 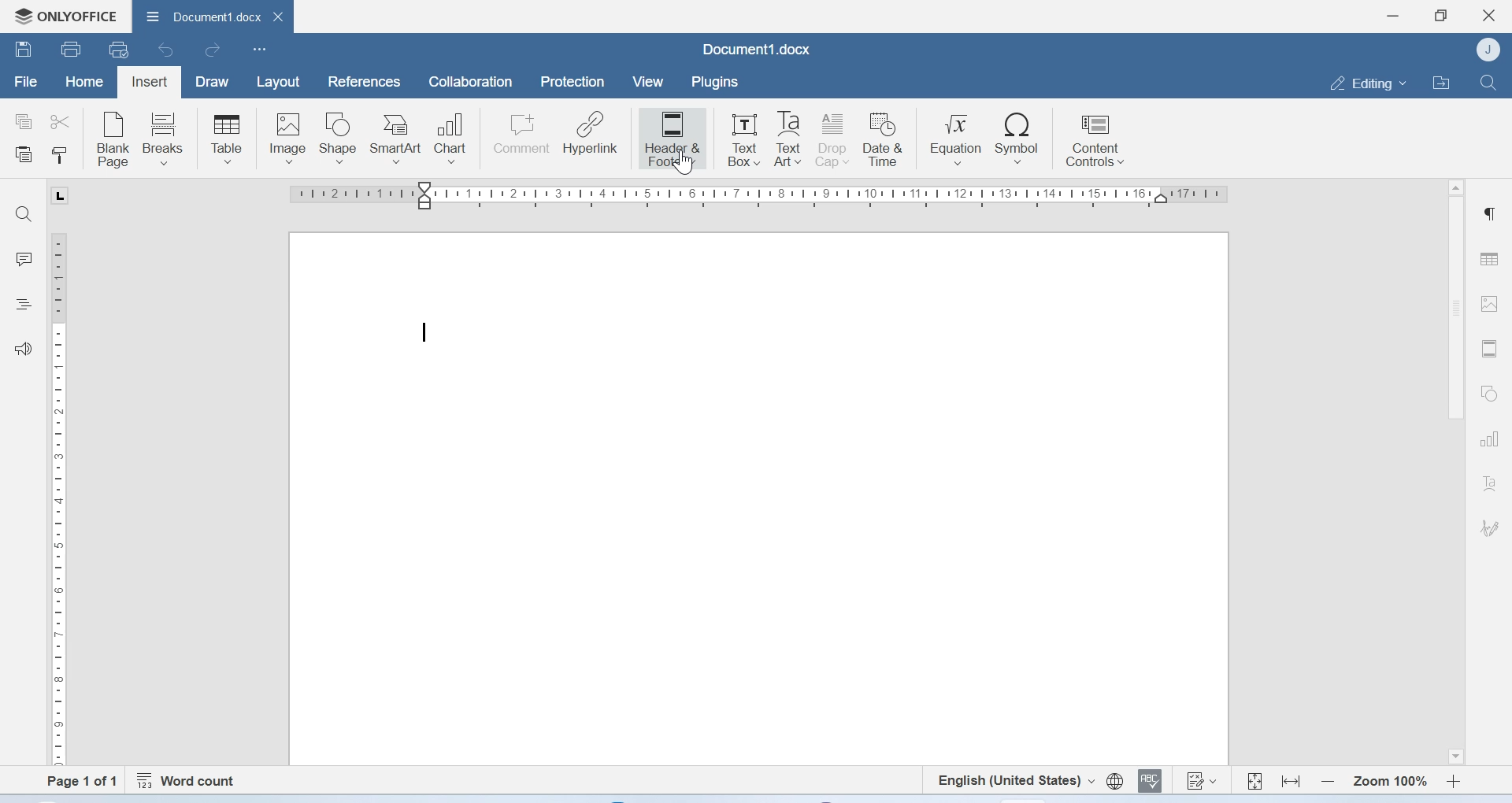 I want to click on cut, so click(x=64, y=120).